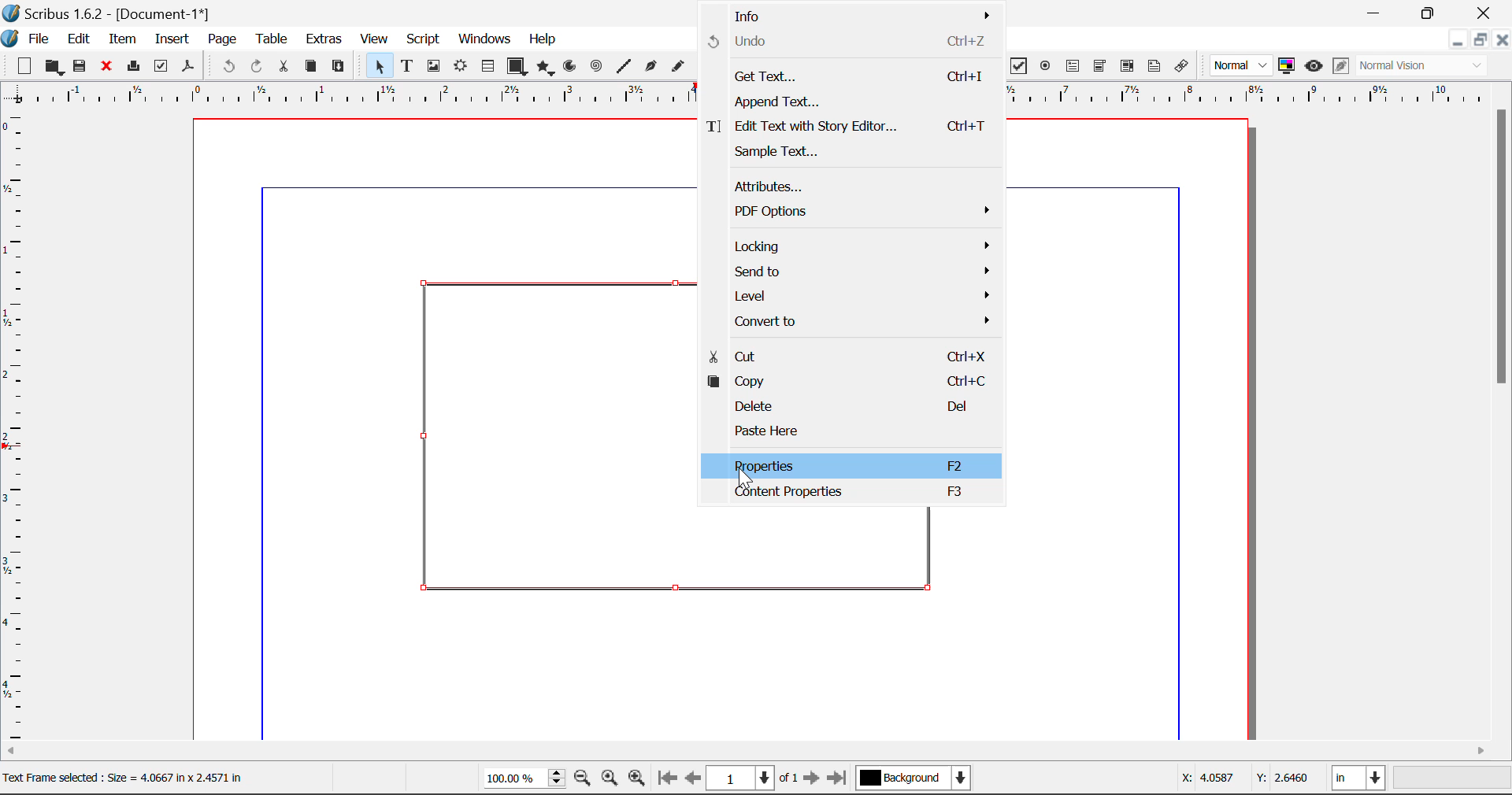 This screenshot has height=795, width=1512. What do you see at coordinates (547, 68) in the screenshot?
I see `Polygon` at bounding box center [547, 68].